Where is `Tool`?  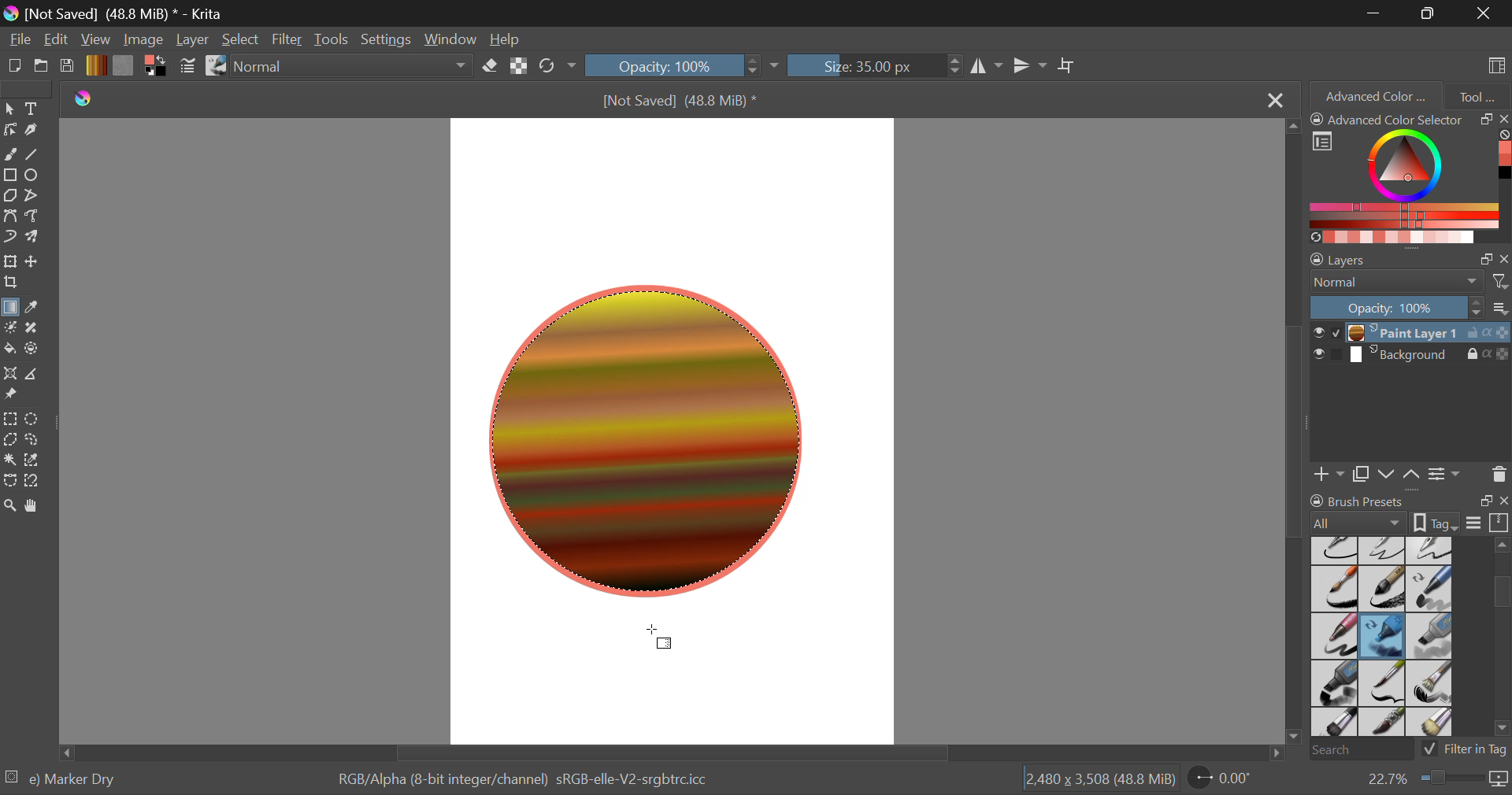 Tool is located at coordinates (9, 457).